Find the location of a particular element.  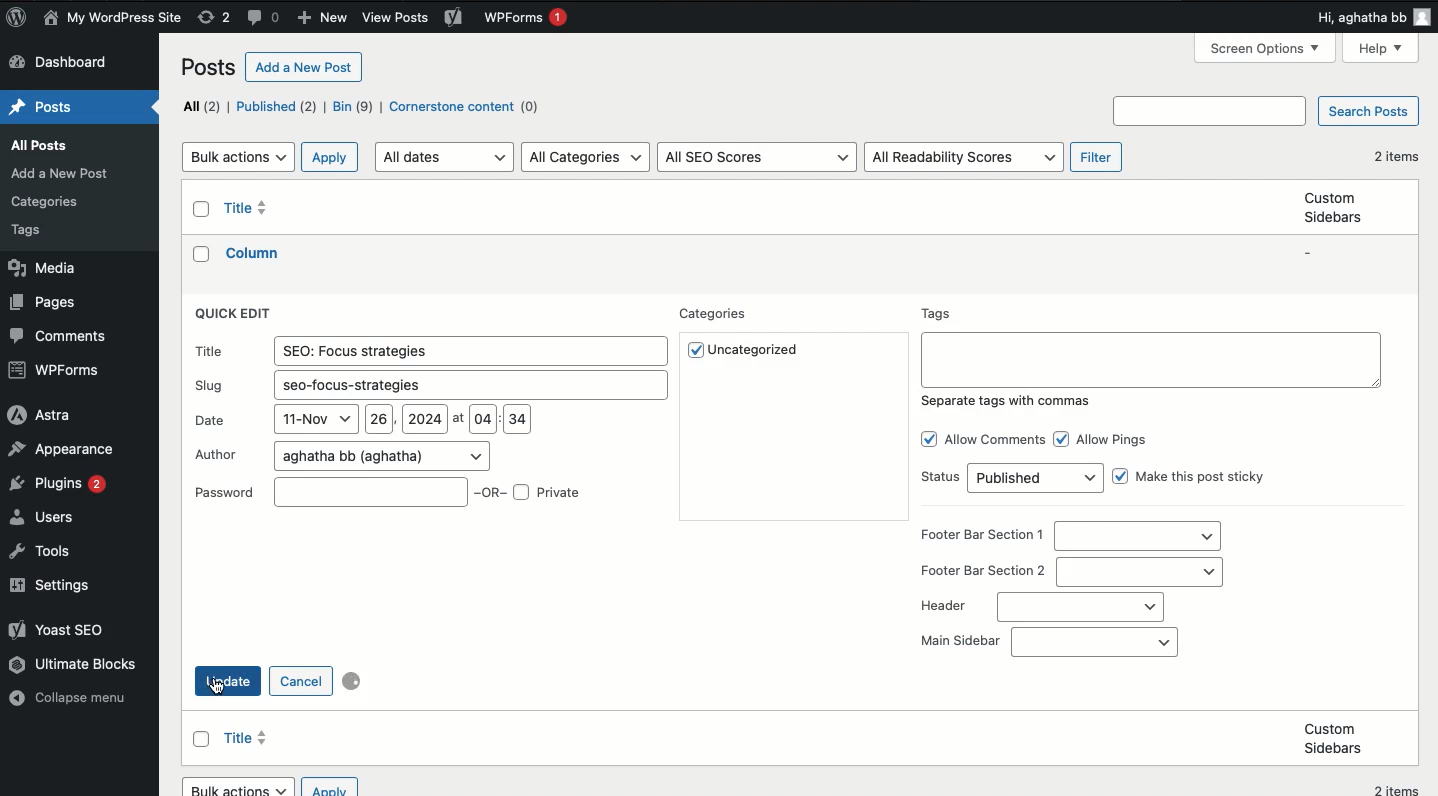

Hi user is located at coordinates (1370, 17).